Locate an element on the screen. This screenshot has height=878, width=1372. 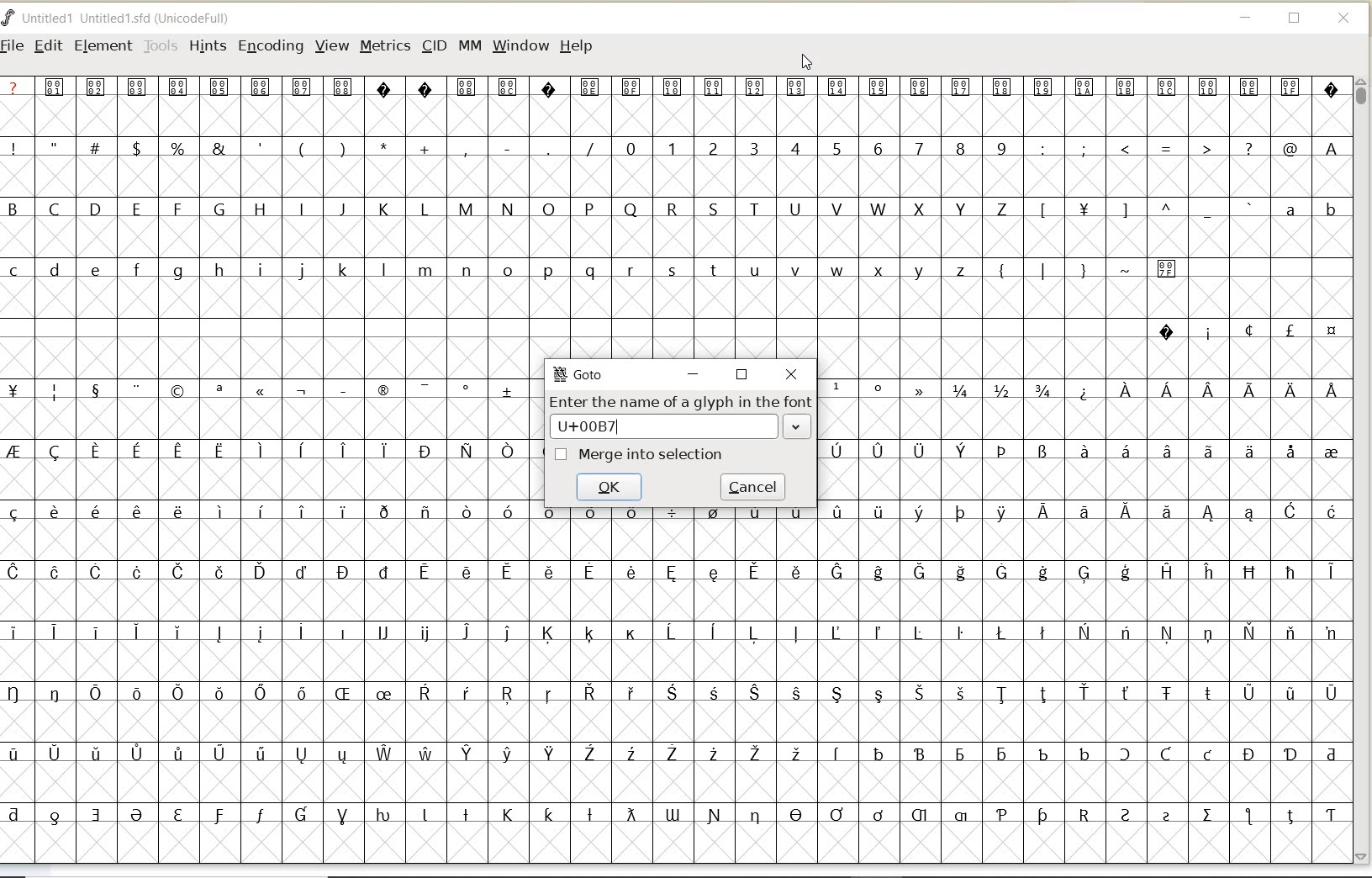
MM is located at coordinates (470, 46).